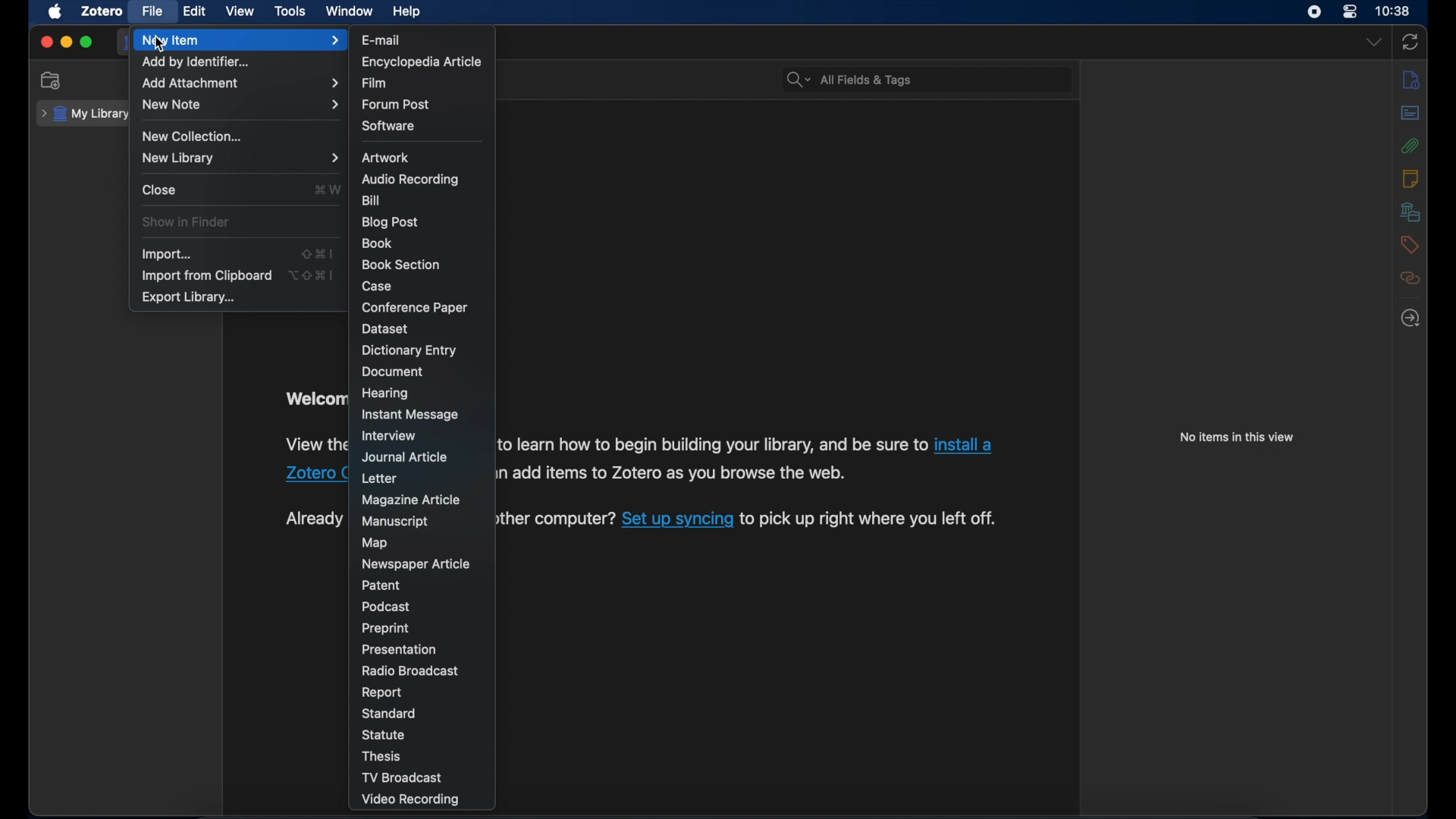 This screenshot has width=1456, height=819. I want to click on close, so click(160, 190).